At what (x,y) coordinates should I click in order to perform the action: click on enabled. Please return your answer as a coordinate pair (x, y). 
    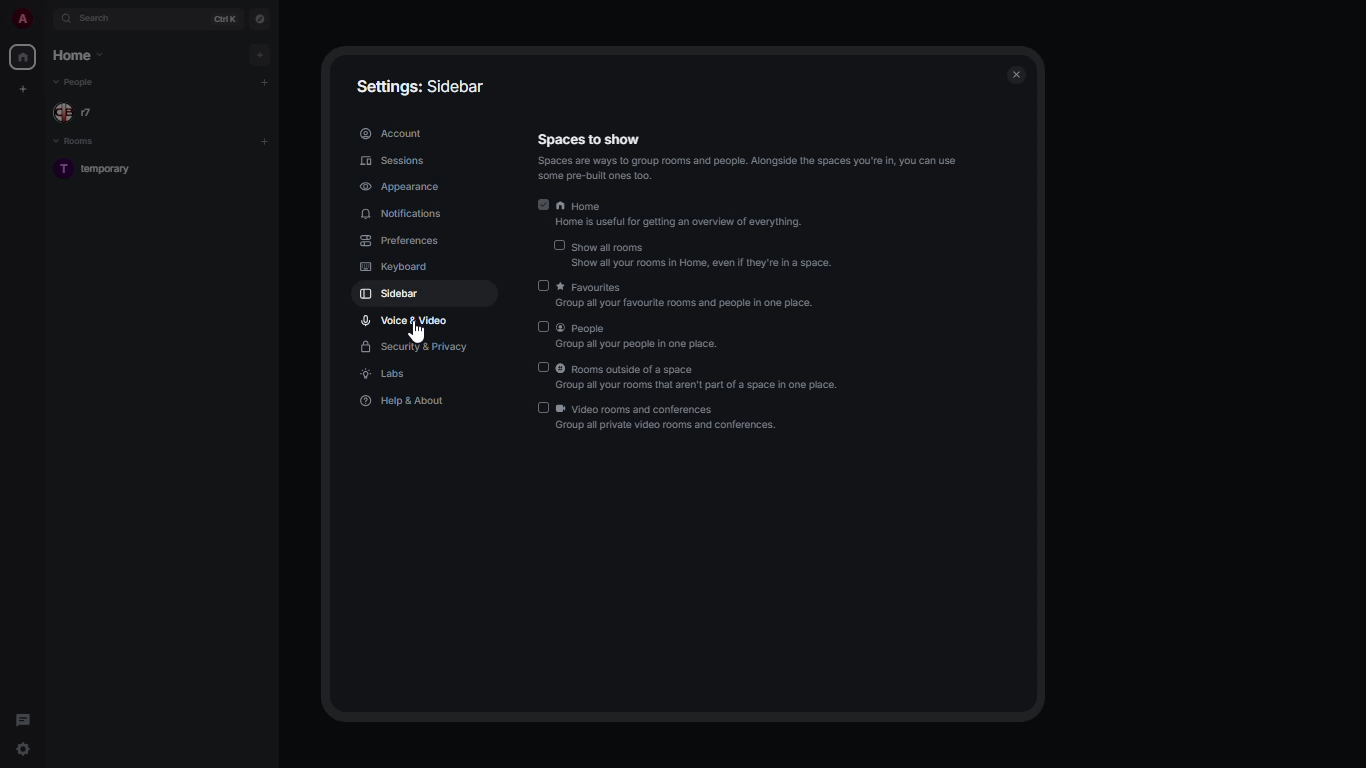
    Looking at the image, I should click on (542, 203).